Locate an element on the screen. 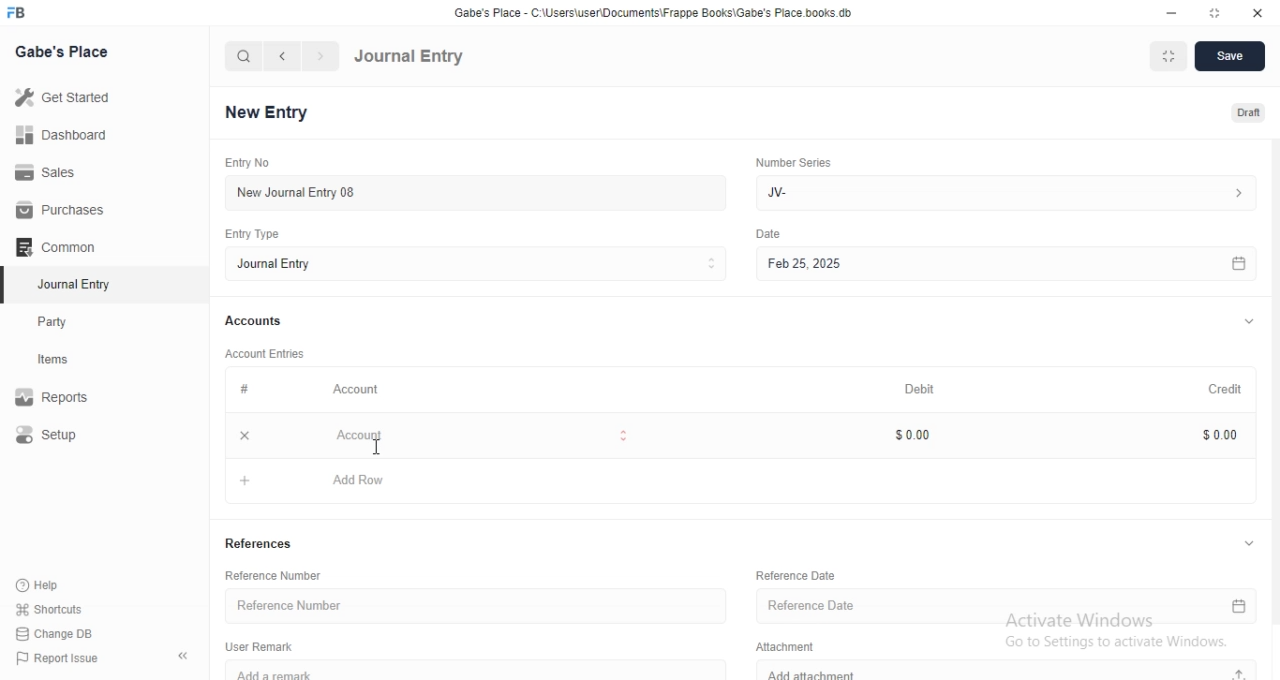  close is located at coordinates (1256, 11).